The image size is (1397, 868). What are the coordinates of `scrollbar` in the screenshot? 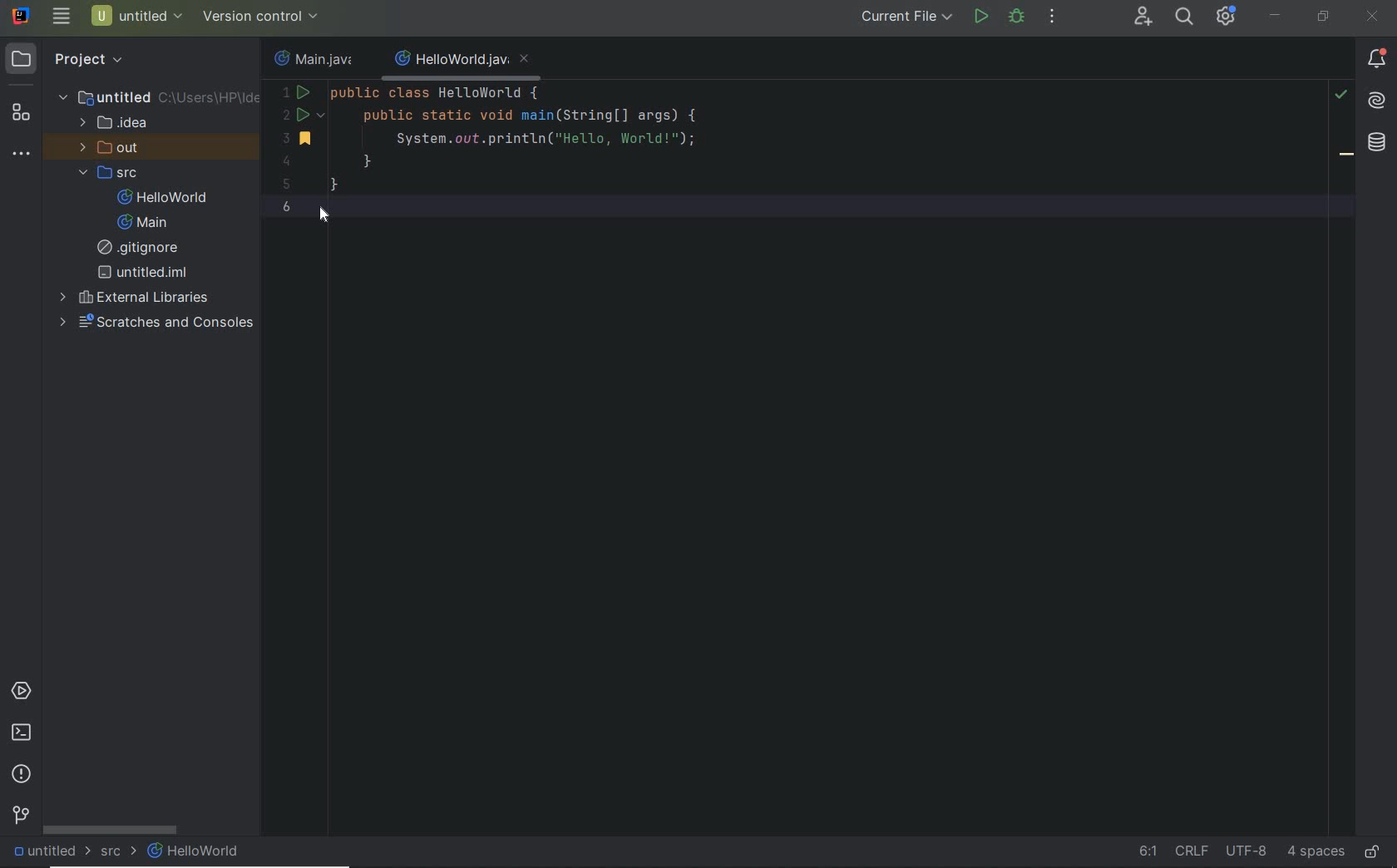 It's located at (111, 830).